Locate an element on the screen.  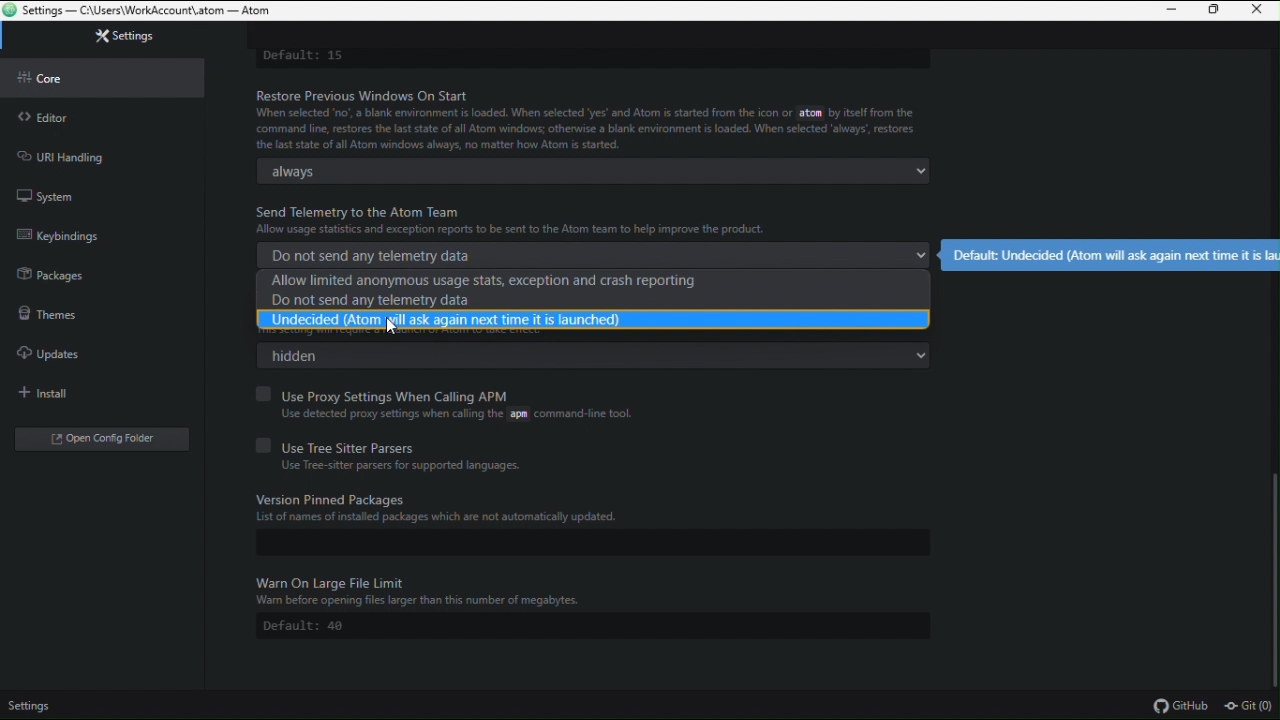
Use Tree sitter parsers is located at coordinates (580, 444).